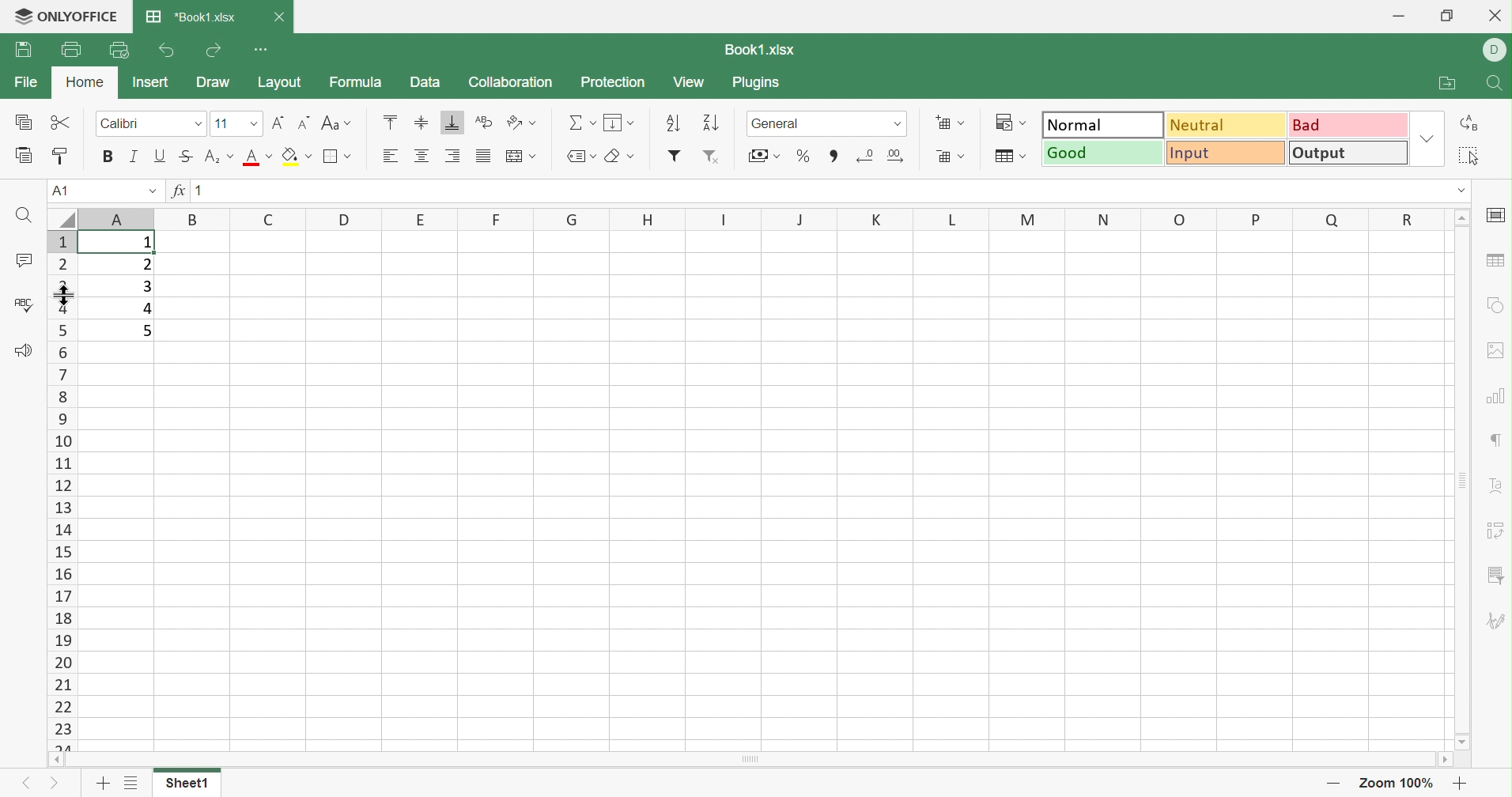 The height and width of the screenshot is (797, 1512). Describe the element at coordinates (1494, 305) in the screenshot. I see `Shape settings` at that location.